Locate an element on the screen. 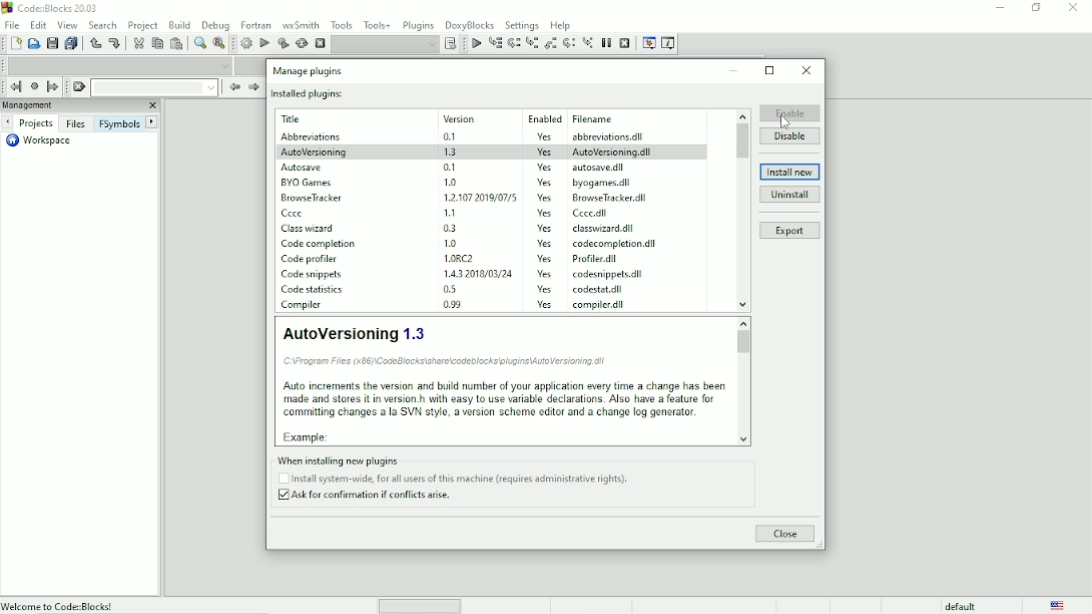 The image size is (1092, 614). scroll up  is located at coordinates (741, 114).